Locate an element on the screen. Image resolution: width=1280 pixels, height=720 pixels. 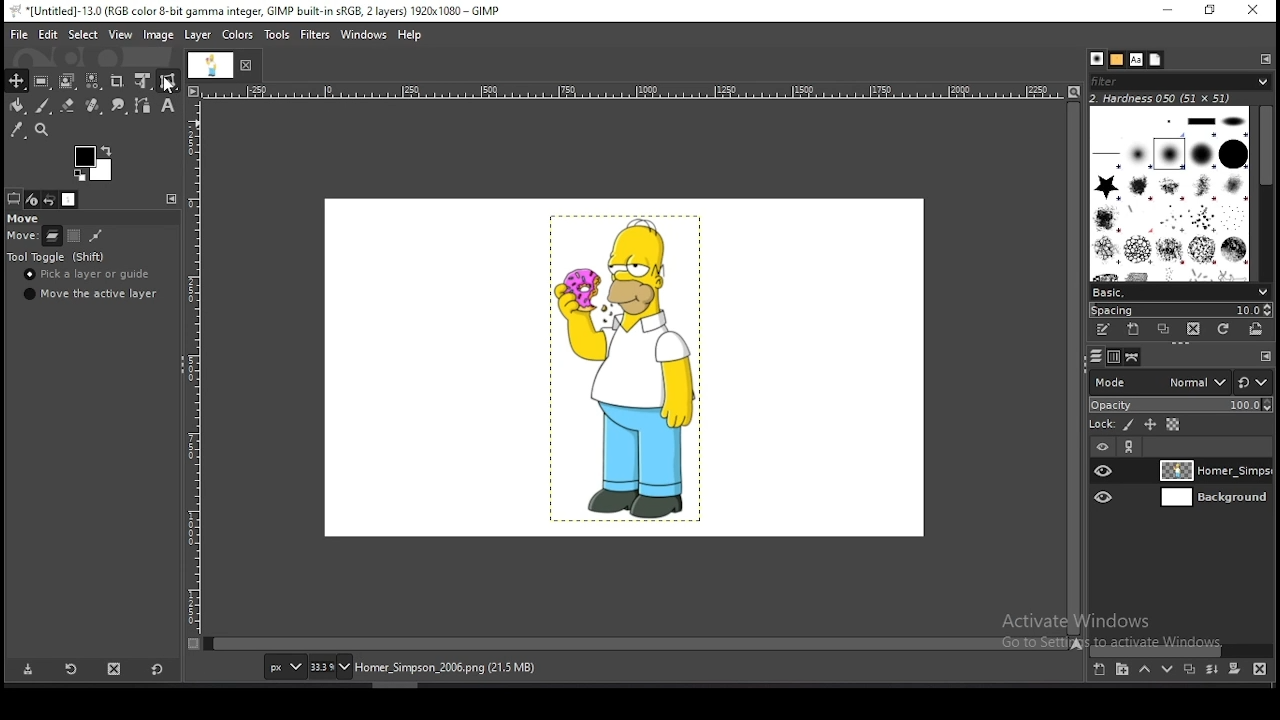
eraser tool is located at coordinates (68, 106).